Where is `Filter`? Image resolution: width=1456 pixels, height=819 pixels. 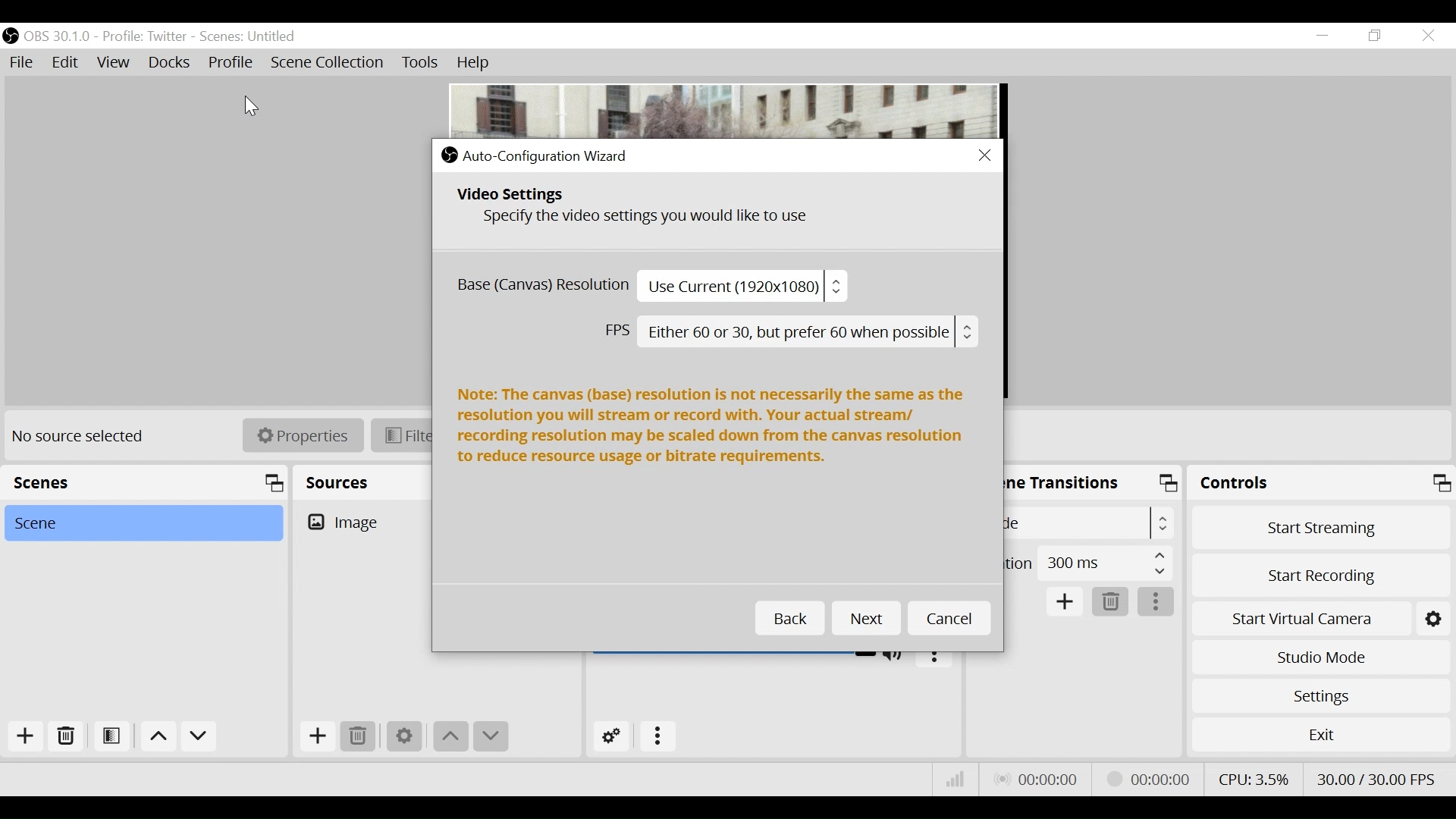 Filter is located at coordinates (403, 435).